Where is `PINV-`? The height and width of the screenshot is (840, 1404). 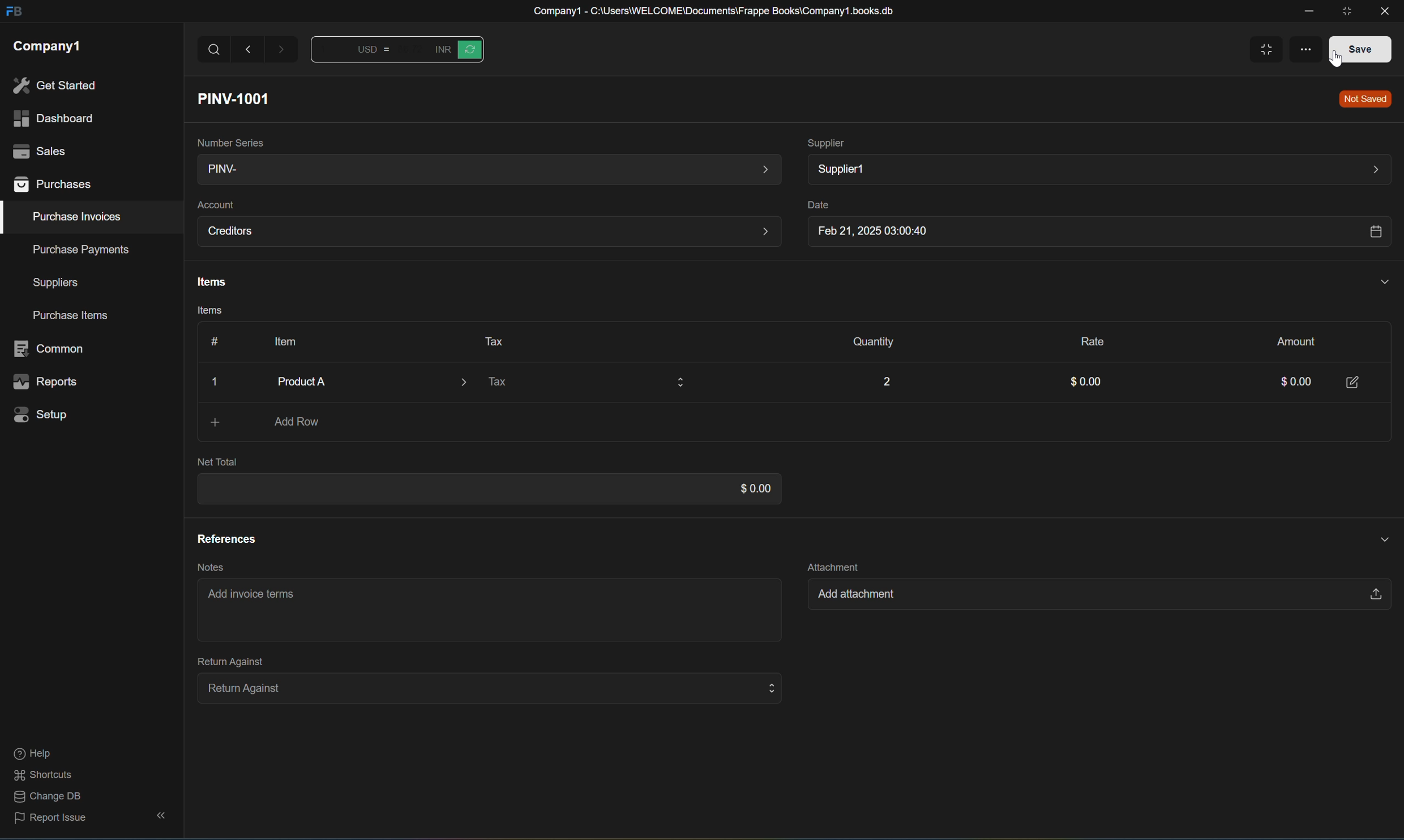 PINV- is located at coordinates (485, 170).